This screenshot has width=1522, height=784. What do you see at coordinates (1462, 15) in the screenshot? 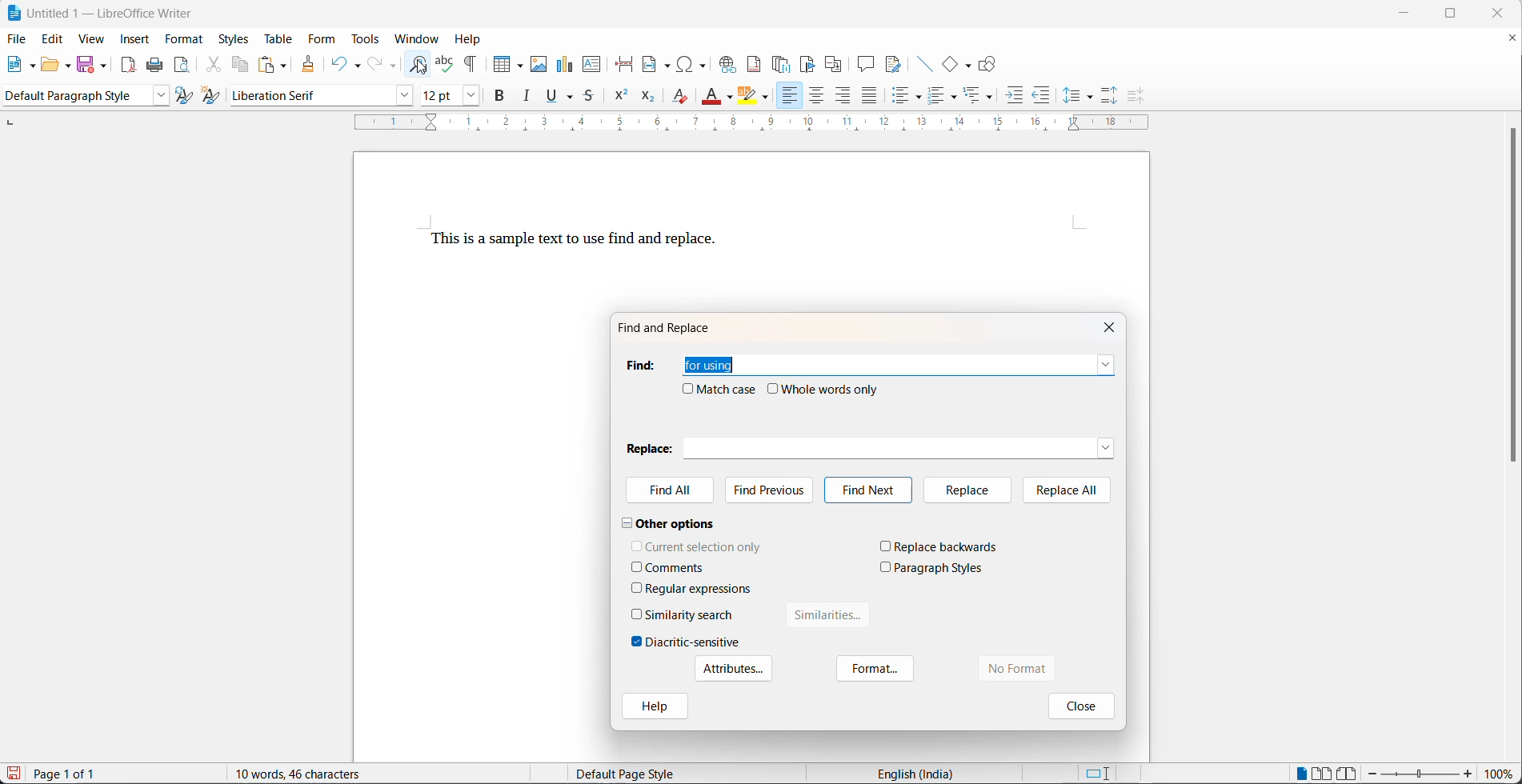
I see `maximize` at bounding box center [1462, 15].